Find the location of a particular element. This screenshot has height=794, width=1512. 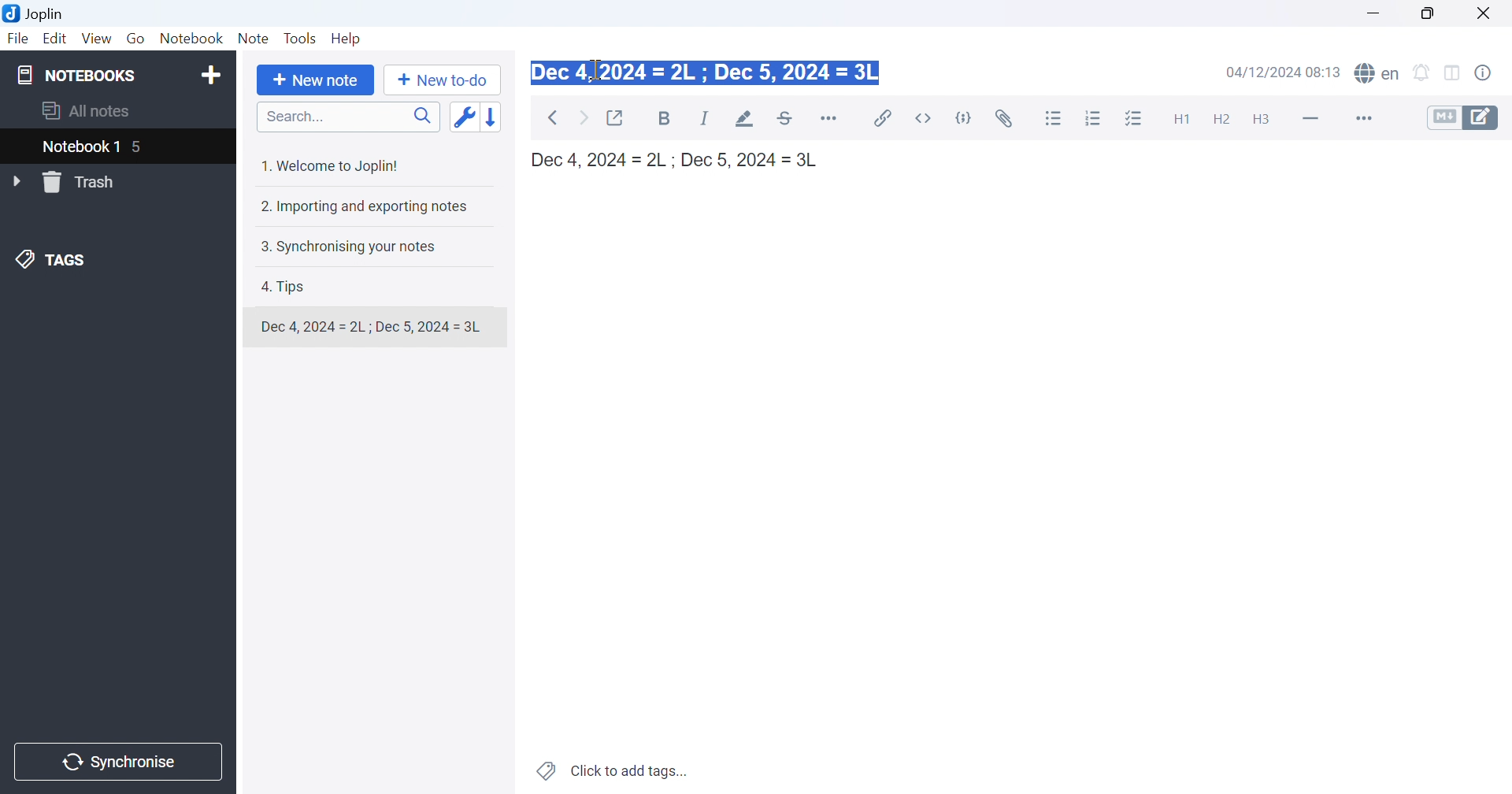

Tools is located at coordinates (302, 39).